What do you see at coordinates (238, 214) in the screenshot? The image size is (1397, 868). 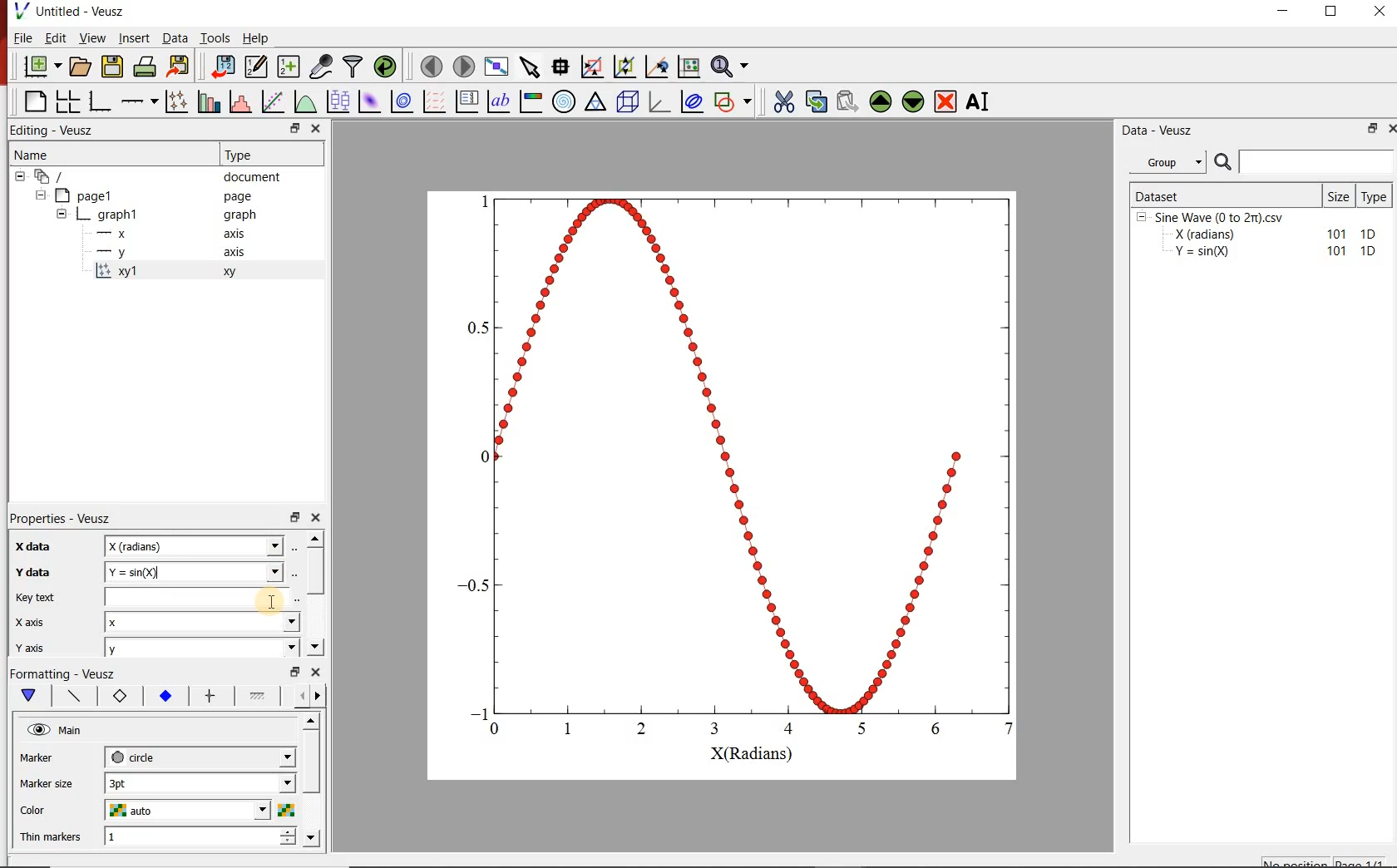 I see `graph` at bounding box center [238, 214].